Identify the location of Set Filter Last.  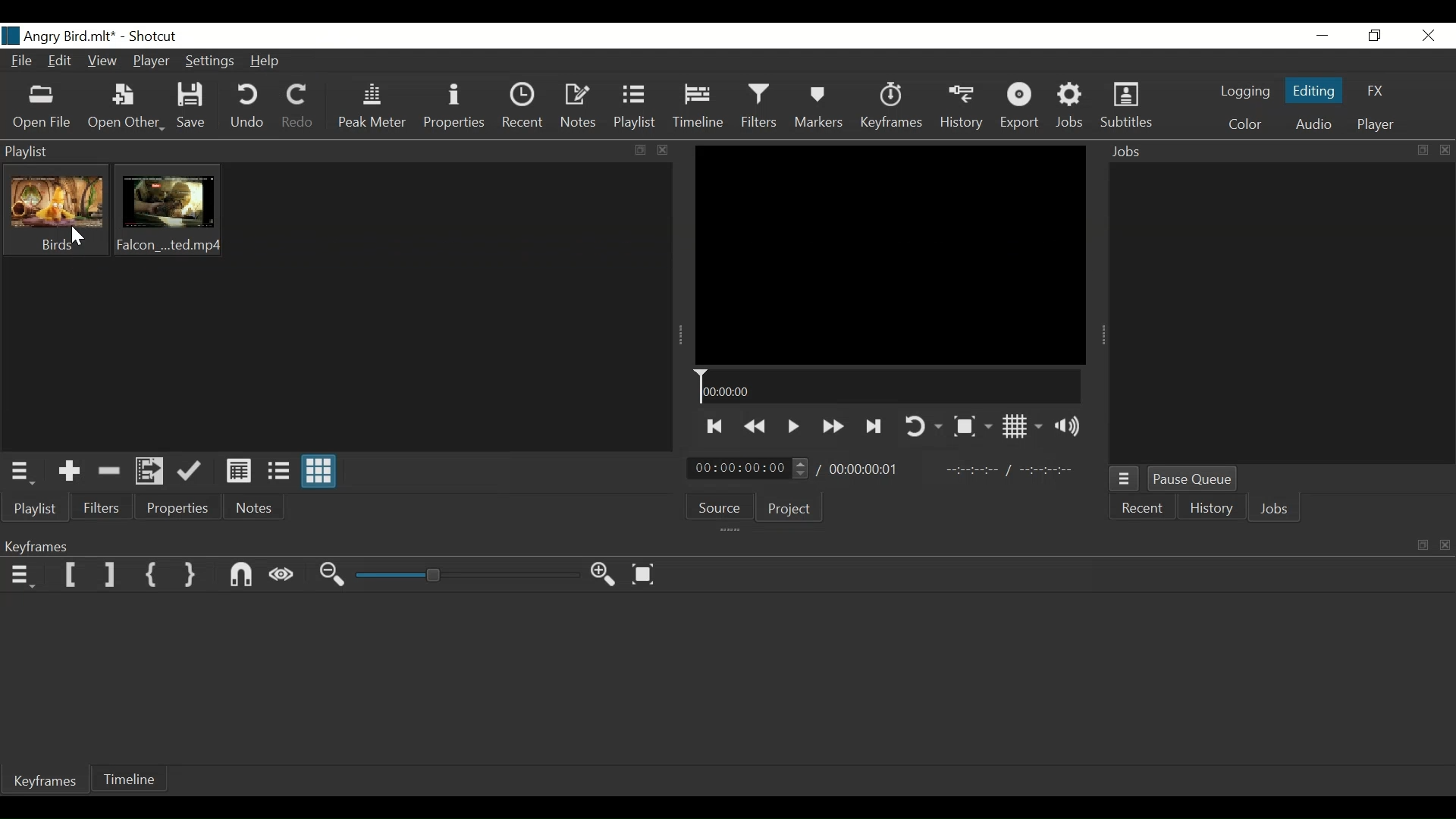
(111, 576).